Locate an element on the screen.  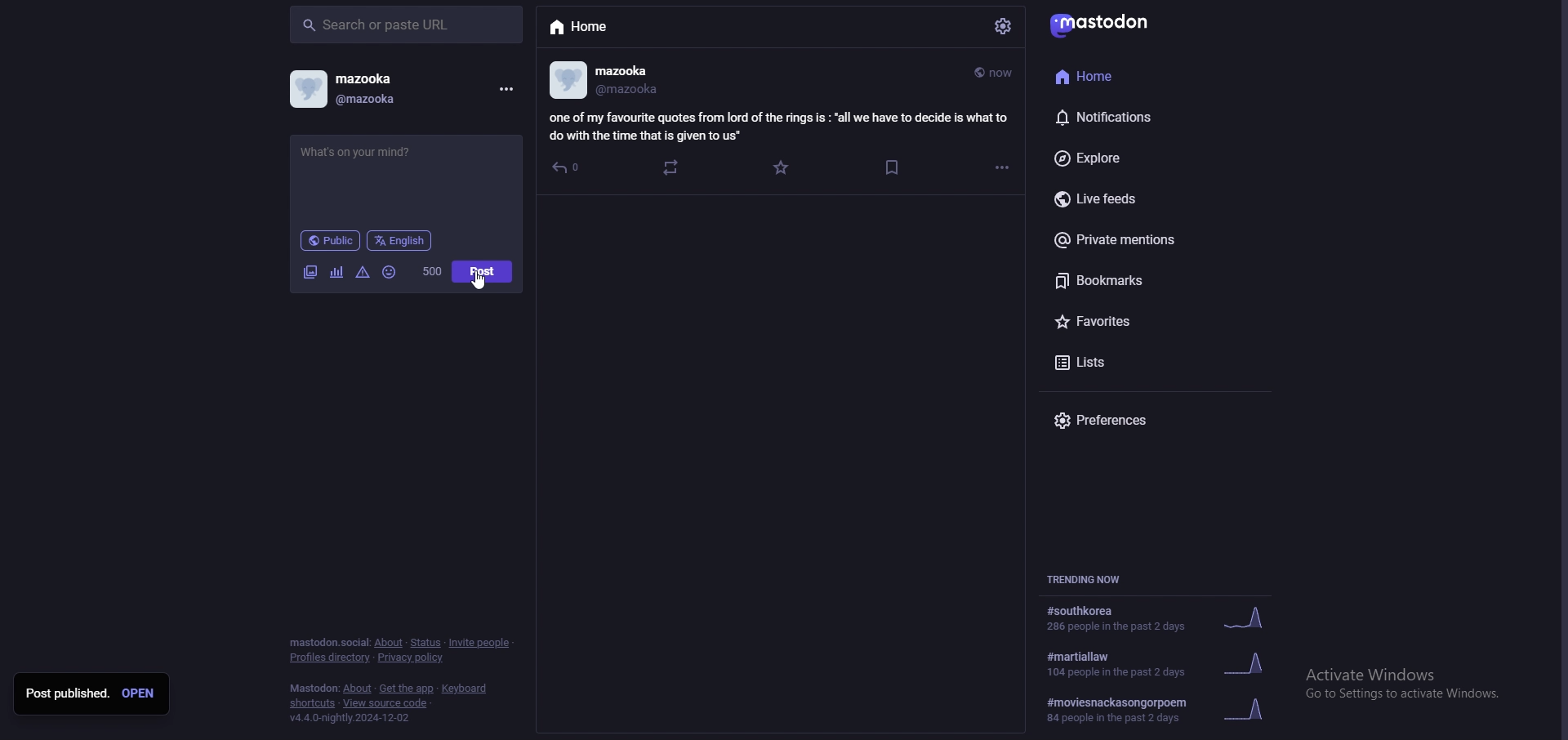
favourite is located at coordinates (784, 168).